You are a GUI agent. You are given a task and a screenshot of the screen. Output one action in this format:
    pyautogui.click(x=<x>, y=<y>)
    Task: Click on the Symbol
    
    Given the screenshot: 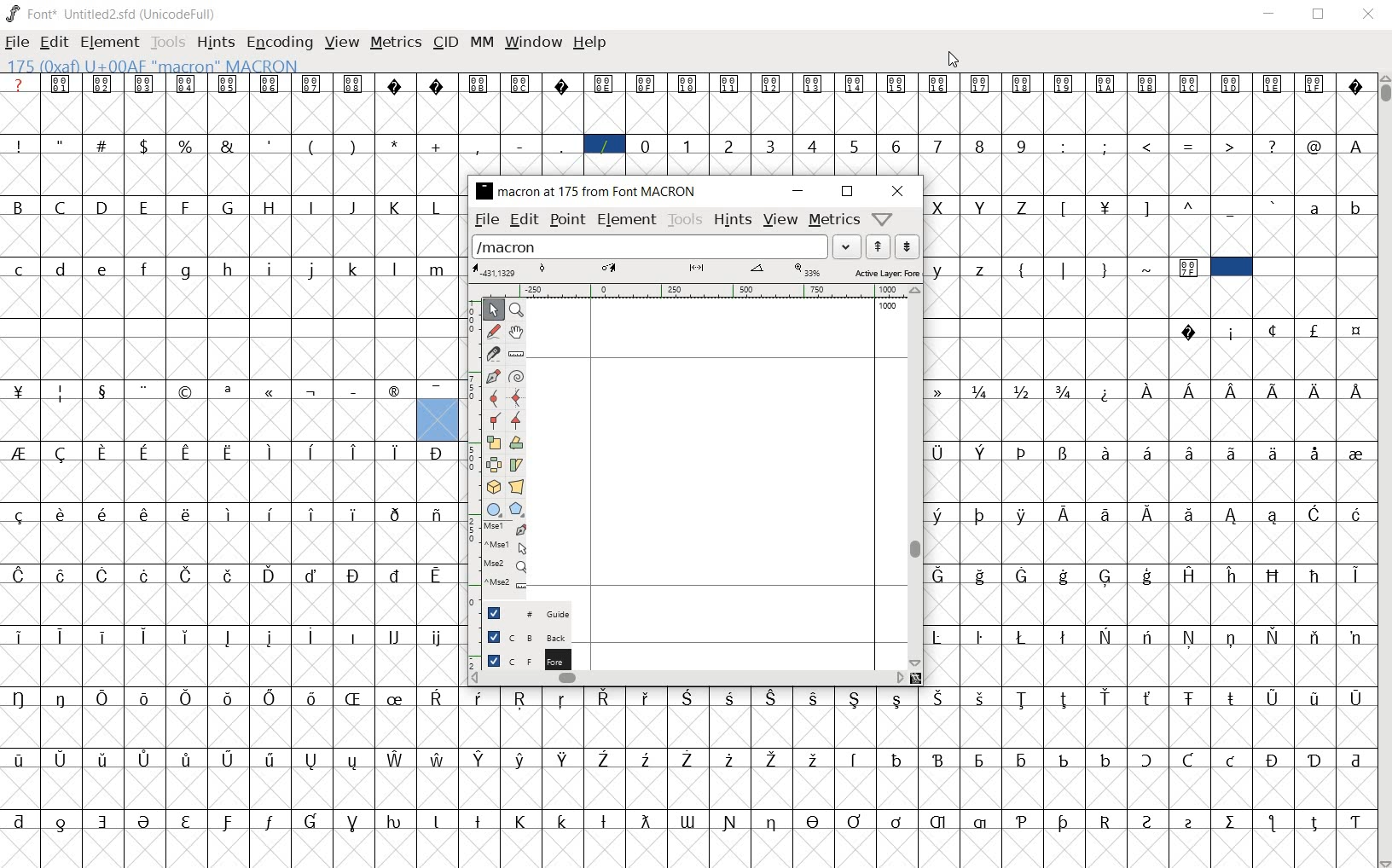 What is the action you would take?
    pyautogui.click(x=106, y=697)
    